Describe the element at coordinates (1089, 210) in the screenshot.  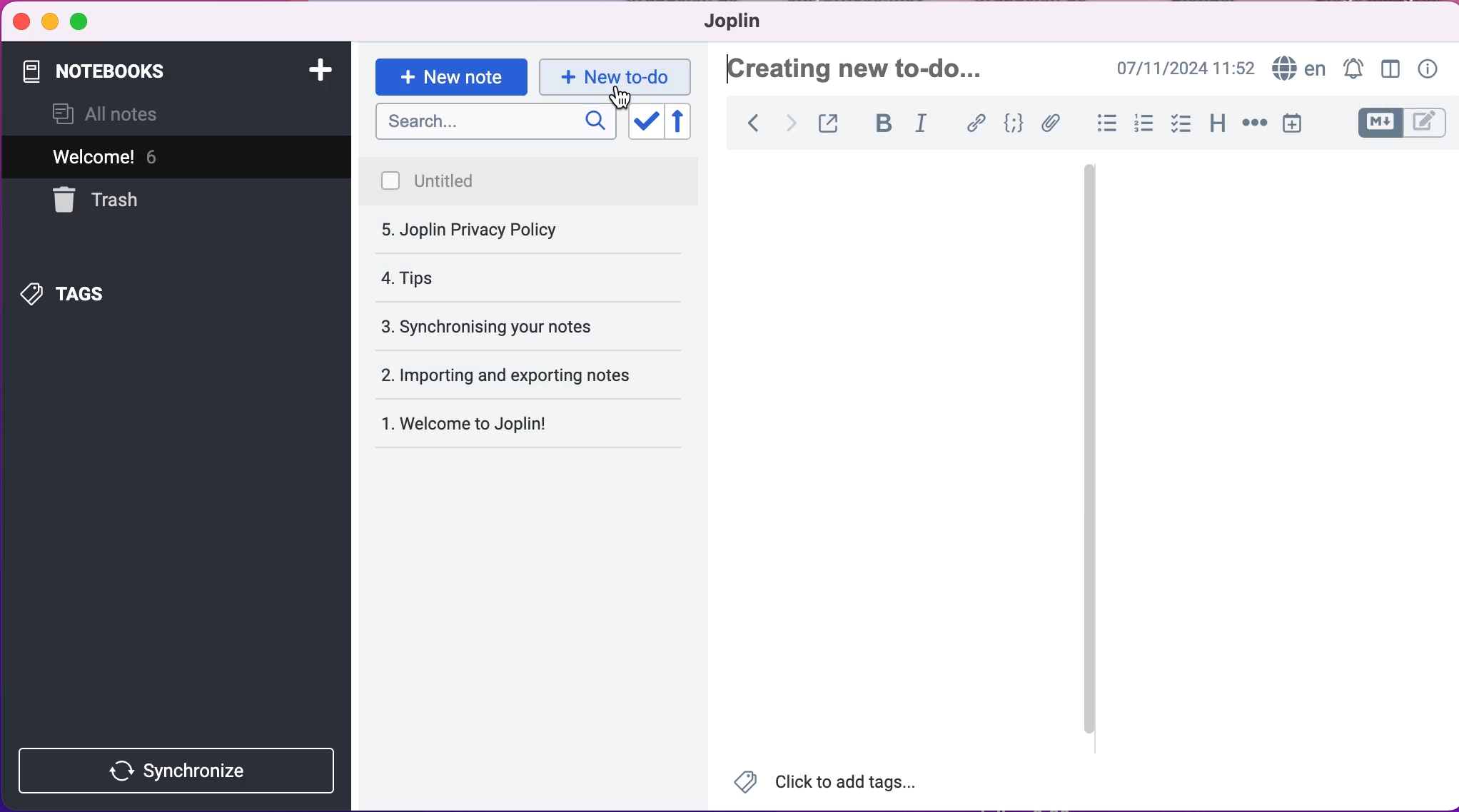
I see `vertical slider` at that location.